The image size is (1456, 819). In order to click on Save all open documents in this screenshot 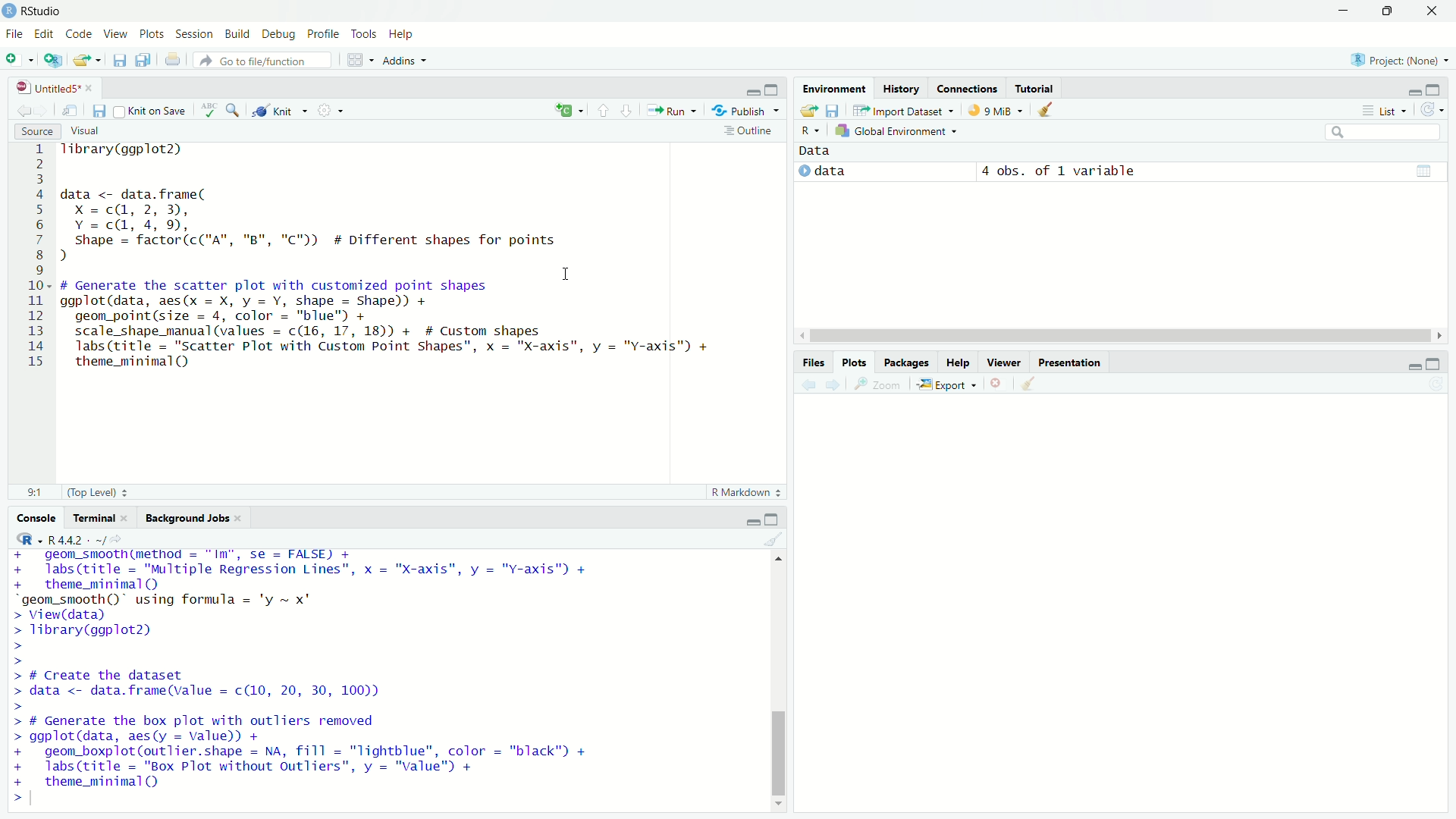, I will do `click(143, 59)`.